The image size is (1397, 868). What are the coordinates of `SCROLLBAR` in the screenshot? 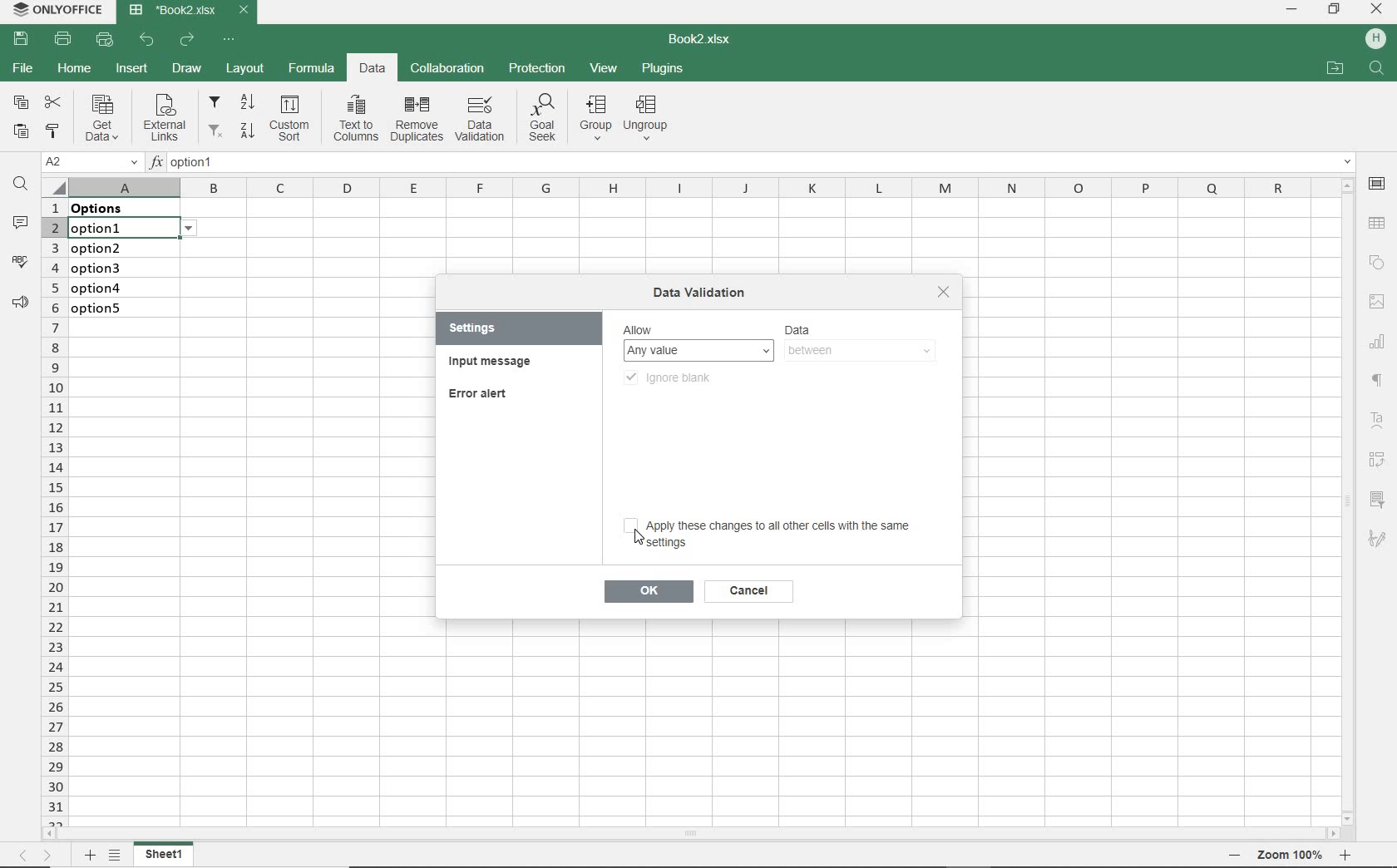 It's located at (1348, 501).